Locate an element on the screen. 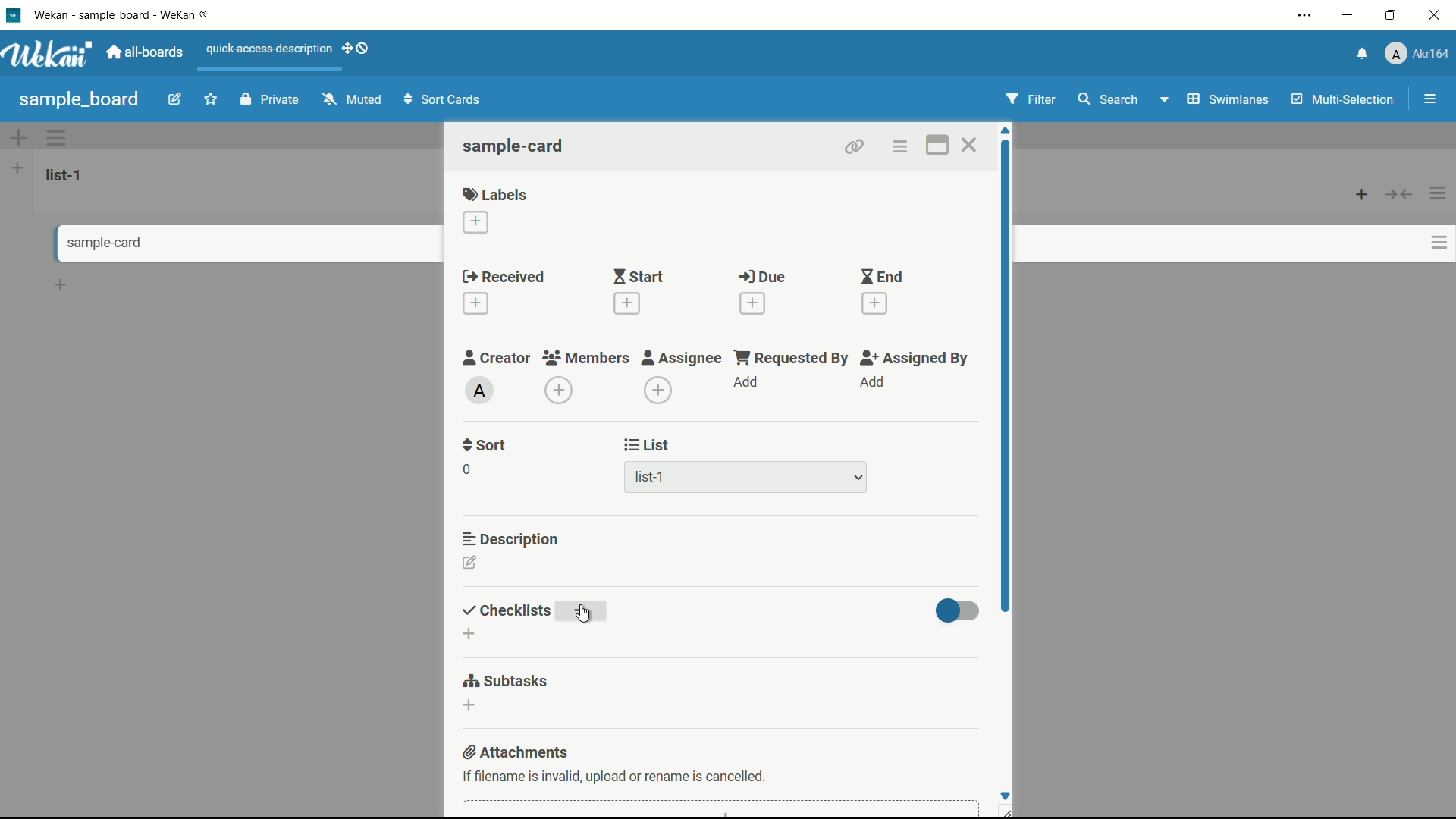 This screenshot has height=819, width=1456. app icon is located at coordinates (13, 14).